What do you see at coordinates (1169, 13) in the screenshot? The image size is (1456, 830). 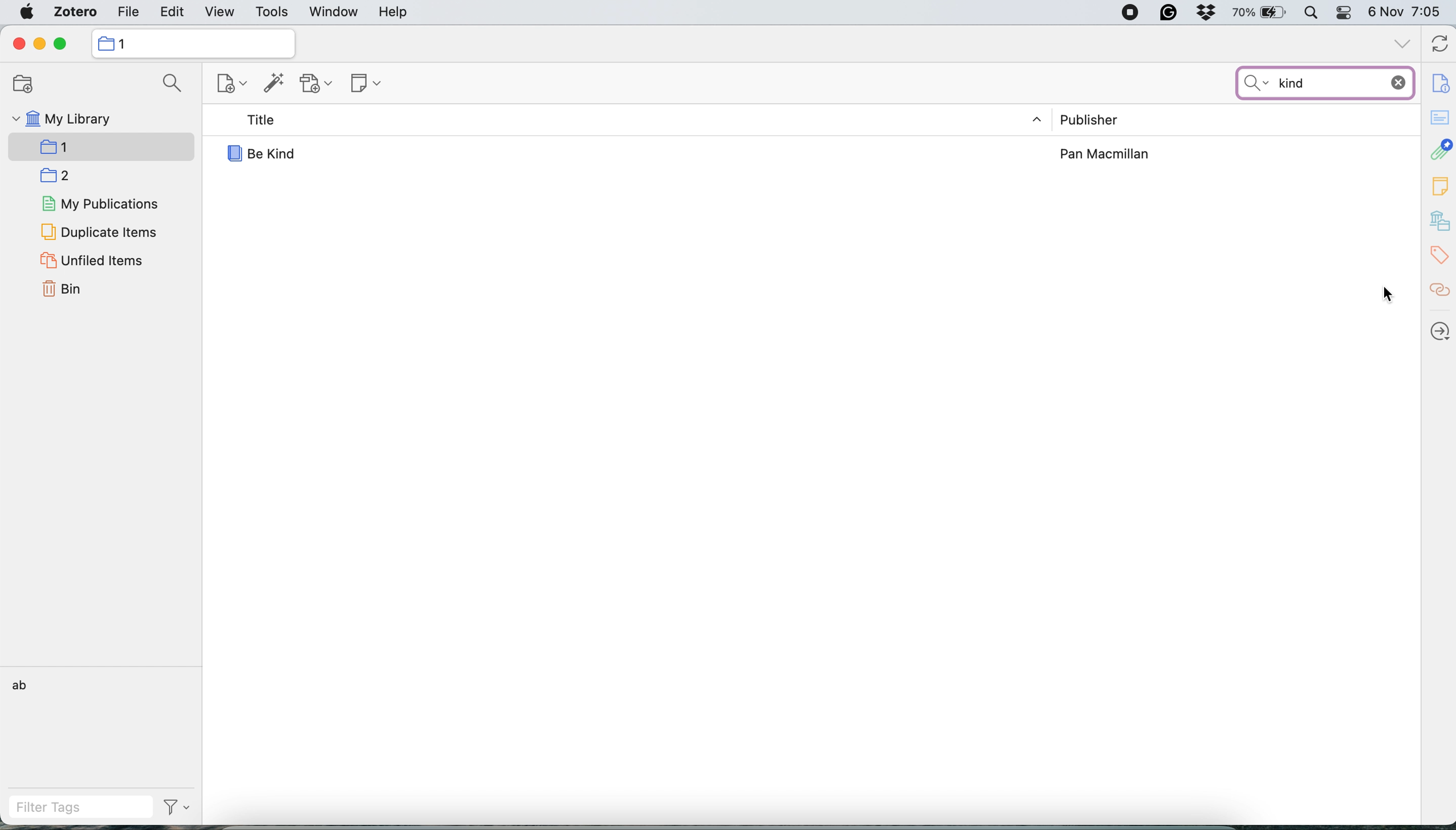 I see `grammarly` at bounding box center [1169, 13].